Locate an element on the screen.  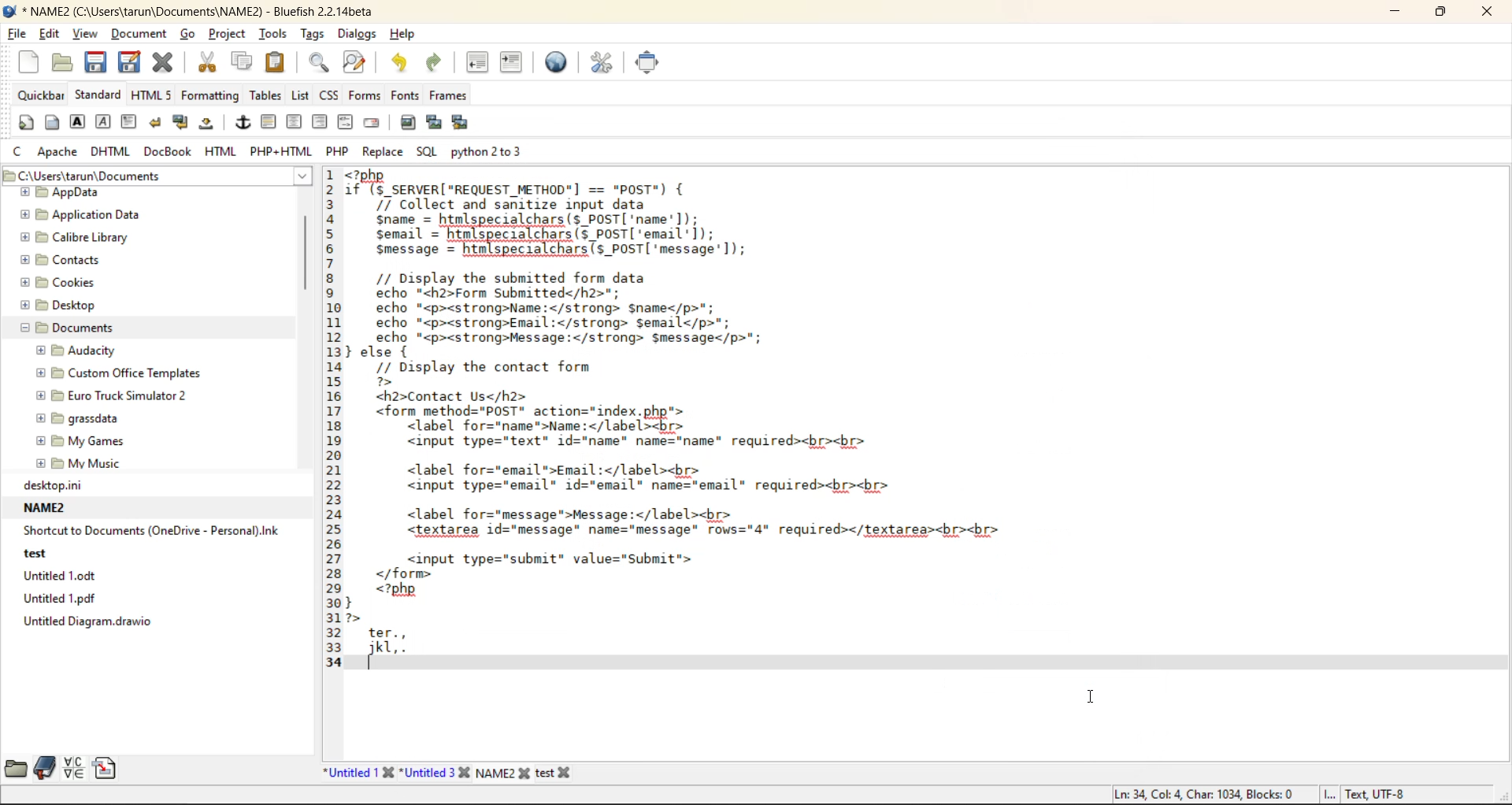
frames is located at coordinates (450, 95).